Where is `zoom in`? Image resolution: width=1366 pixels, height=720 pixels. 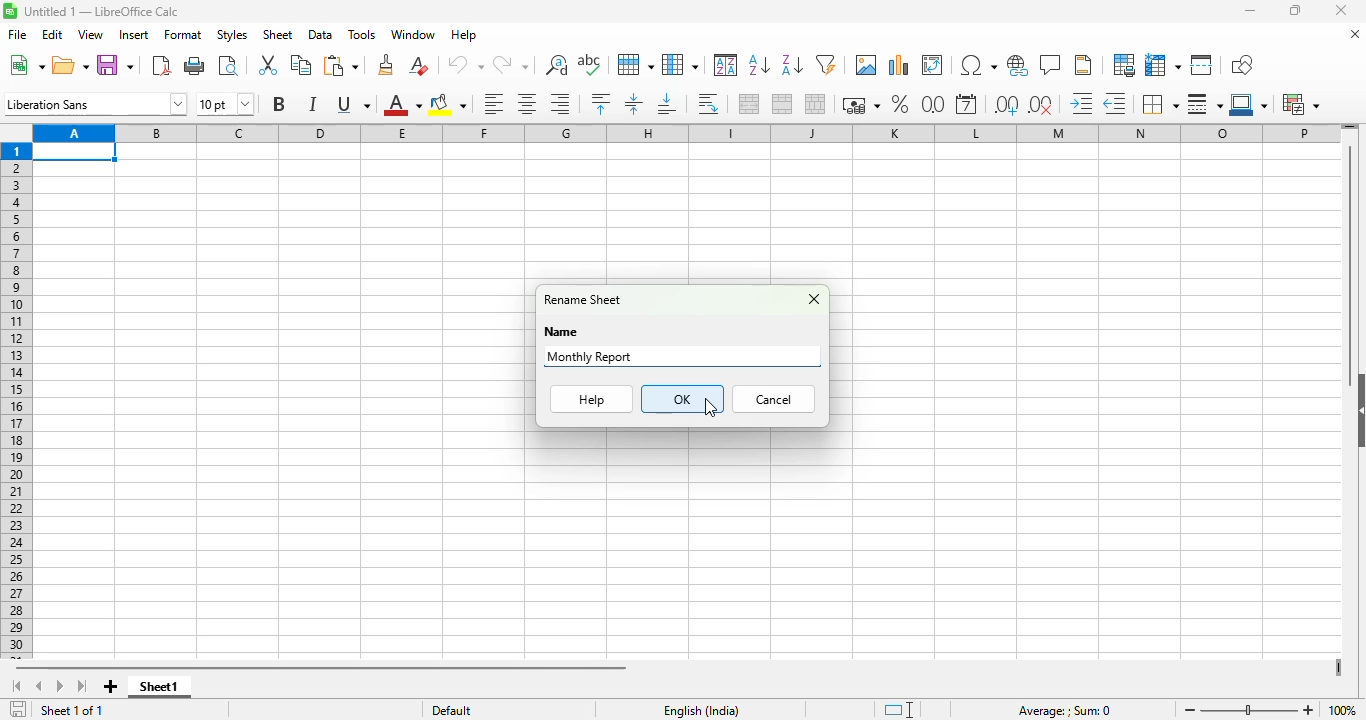 zoom in is located at coordinates (1309, 710).